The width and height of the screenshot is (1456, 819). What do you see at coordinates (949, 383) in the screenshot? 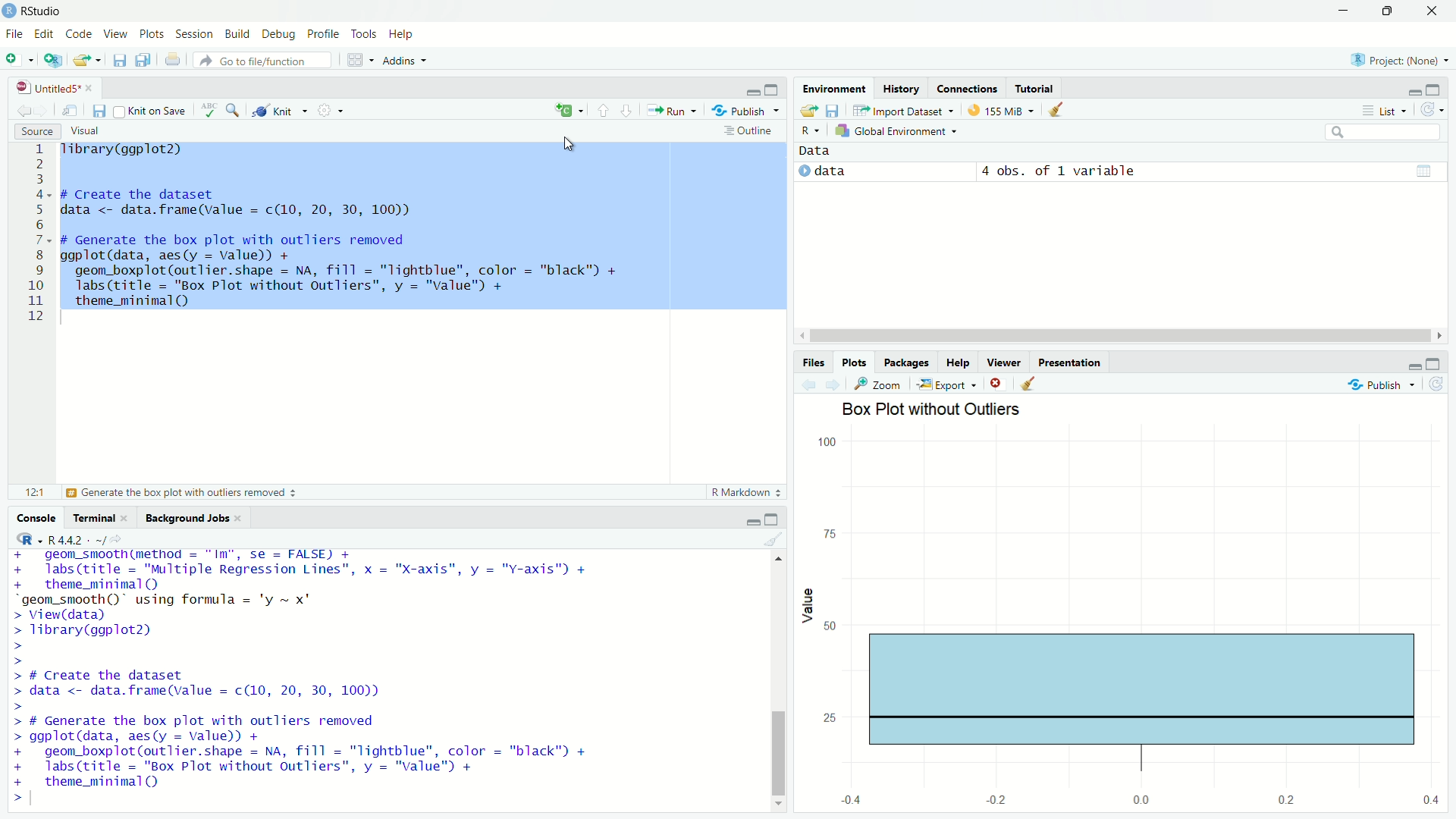
I see `i Export ~` at bounding box center [949, 383].